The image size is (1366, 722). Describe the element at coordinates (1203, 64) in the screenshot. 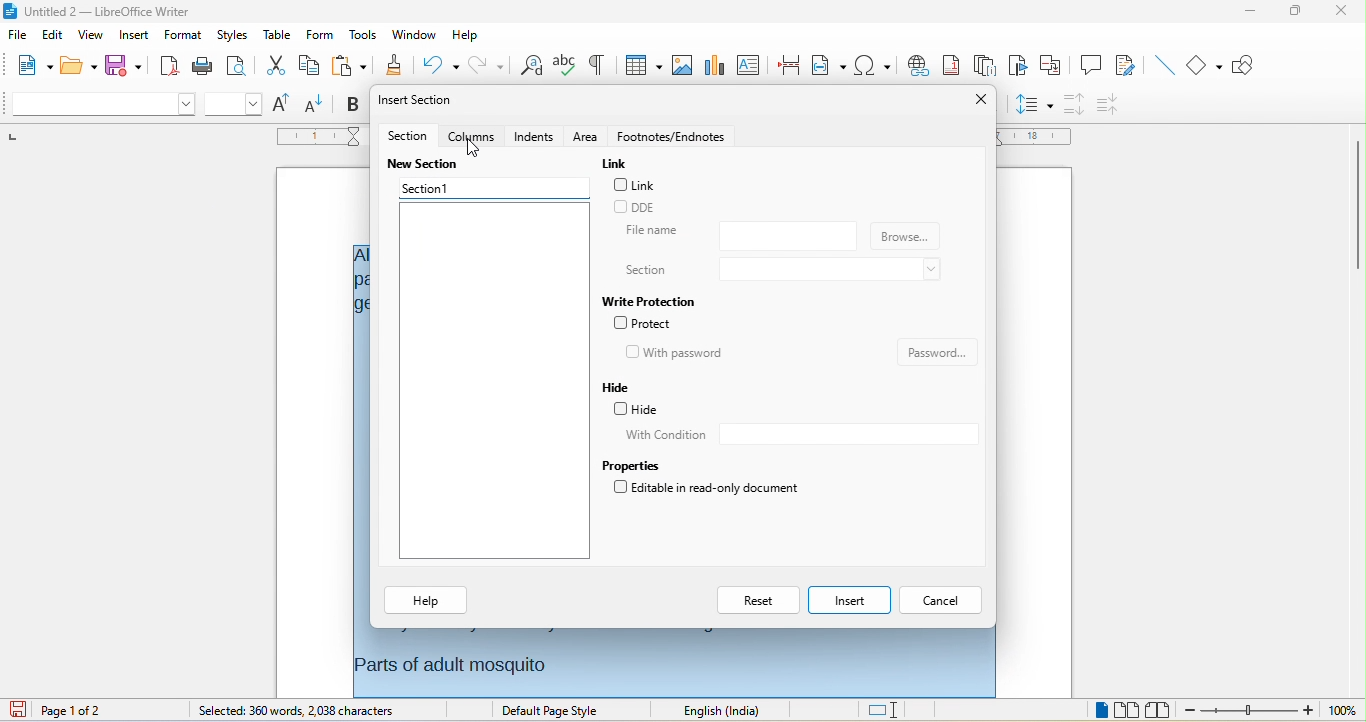

I see `basic shape` at that location.